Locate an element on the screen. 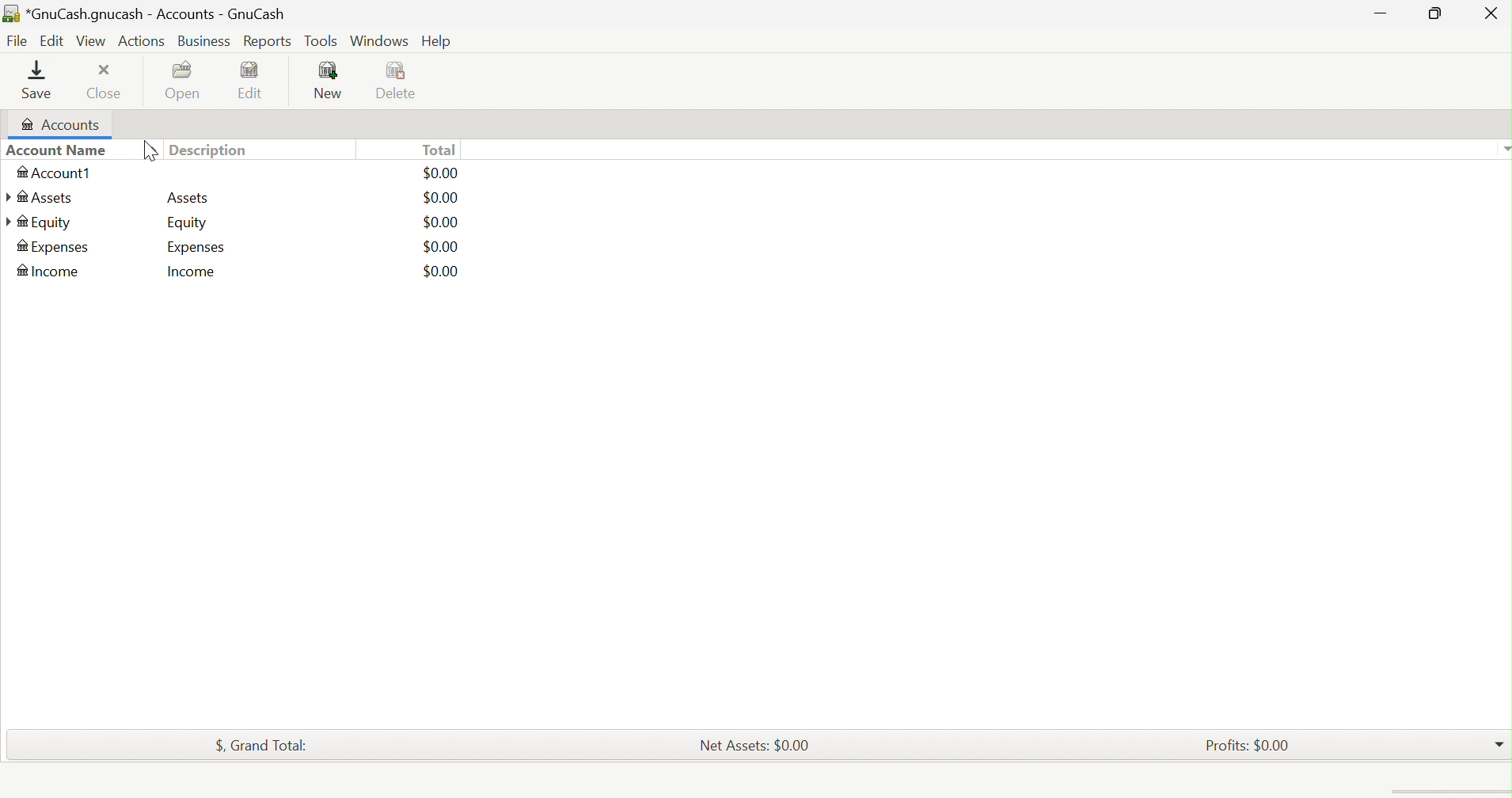 This screenshot has height=798, width=1512. Restore Down is located at coordinates (1432, 13).